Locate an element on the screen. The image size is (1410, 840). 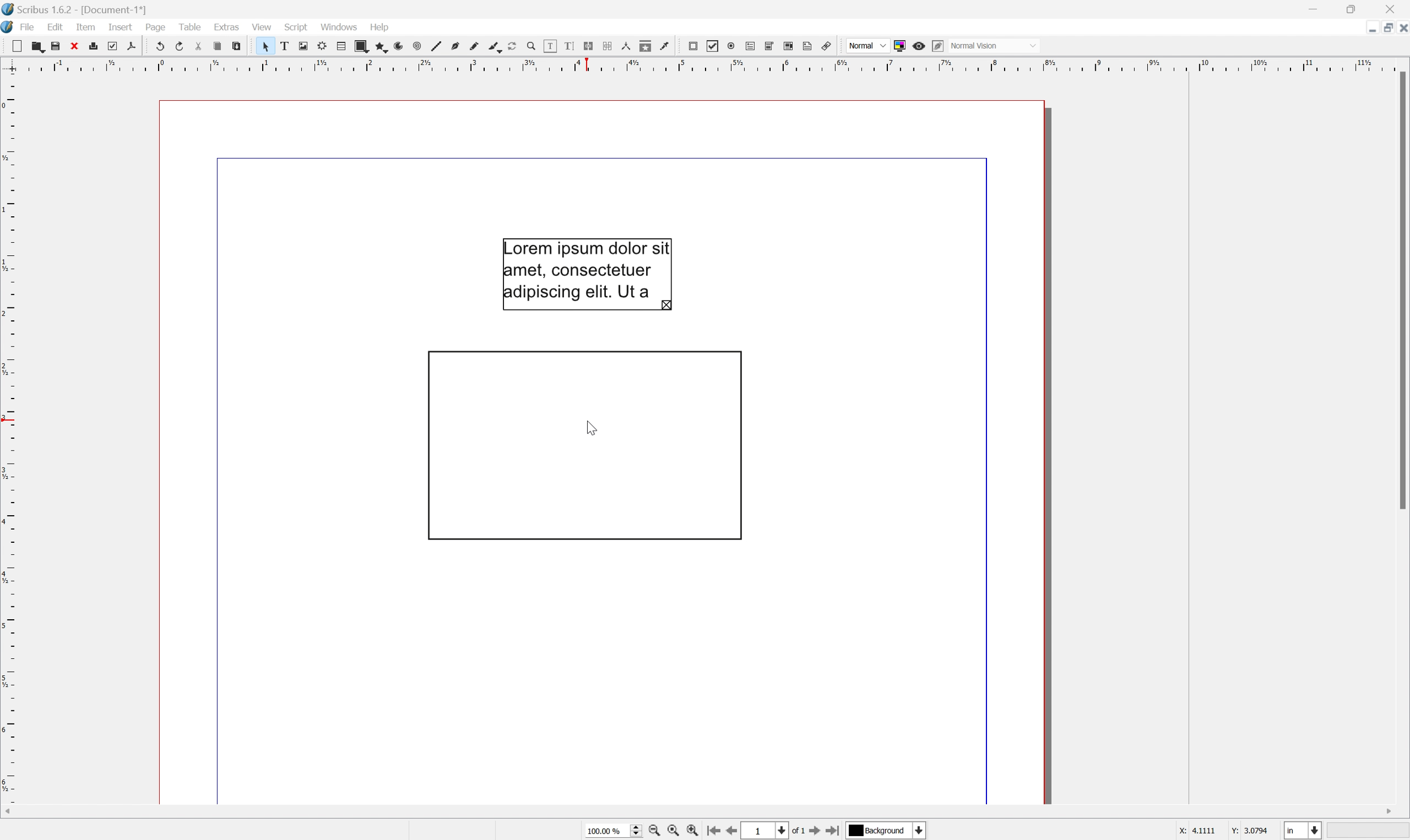
Save as PDF is located at coordinates (131, 48).